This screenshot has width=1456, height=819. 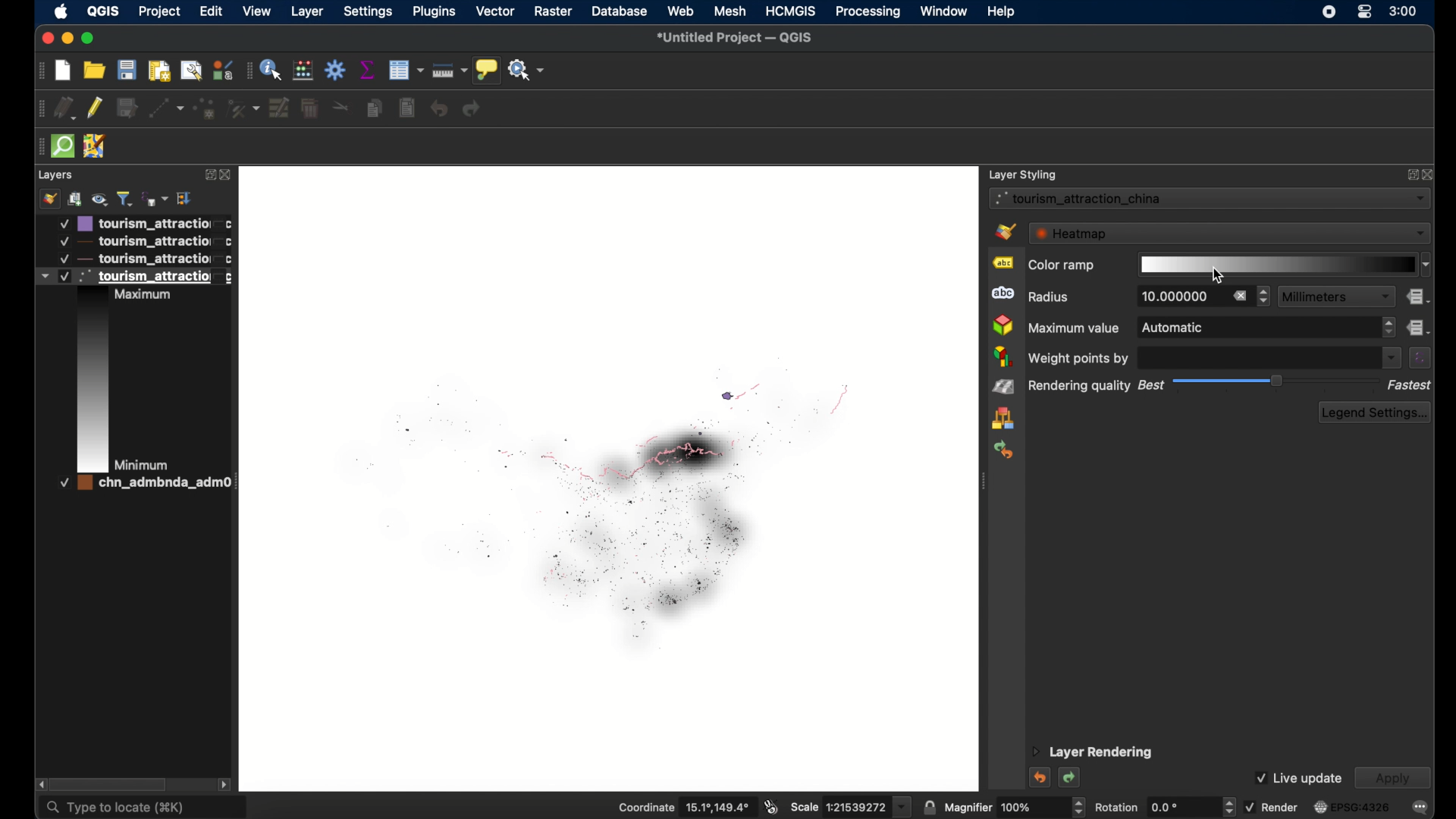 I want to click on drag handle, so click(x=981, y=483).